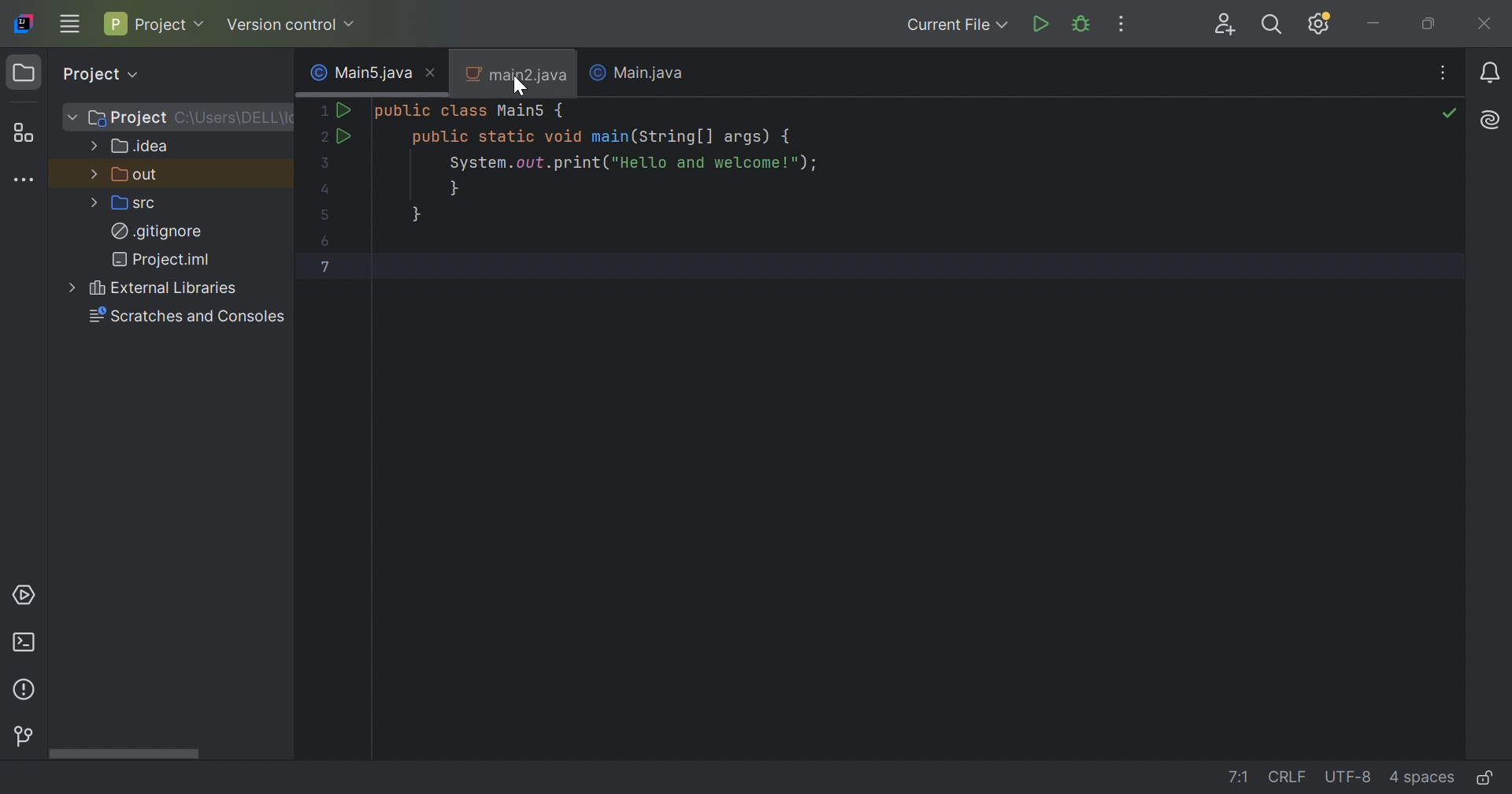 The width and height of the screenshot is (1512, 794). I want to click on 3, so click(328, 164).